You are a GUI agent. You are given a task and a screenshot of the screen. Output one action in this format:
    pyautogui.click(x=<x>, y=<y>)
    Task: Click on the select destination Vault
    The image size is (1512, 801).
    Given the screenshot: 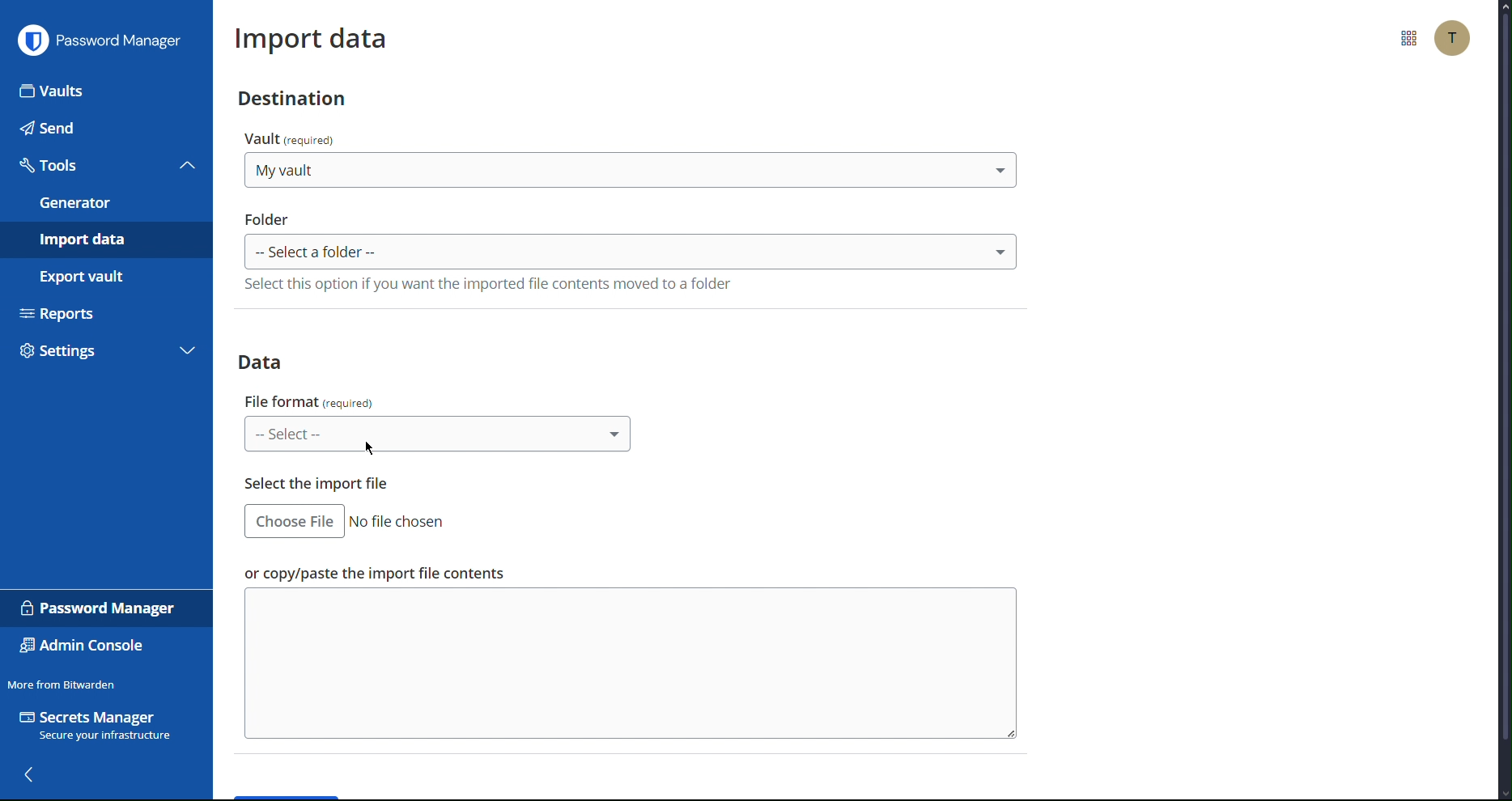 What is the action you would take?
    pyautogui.click(x=629, y=169)
    